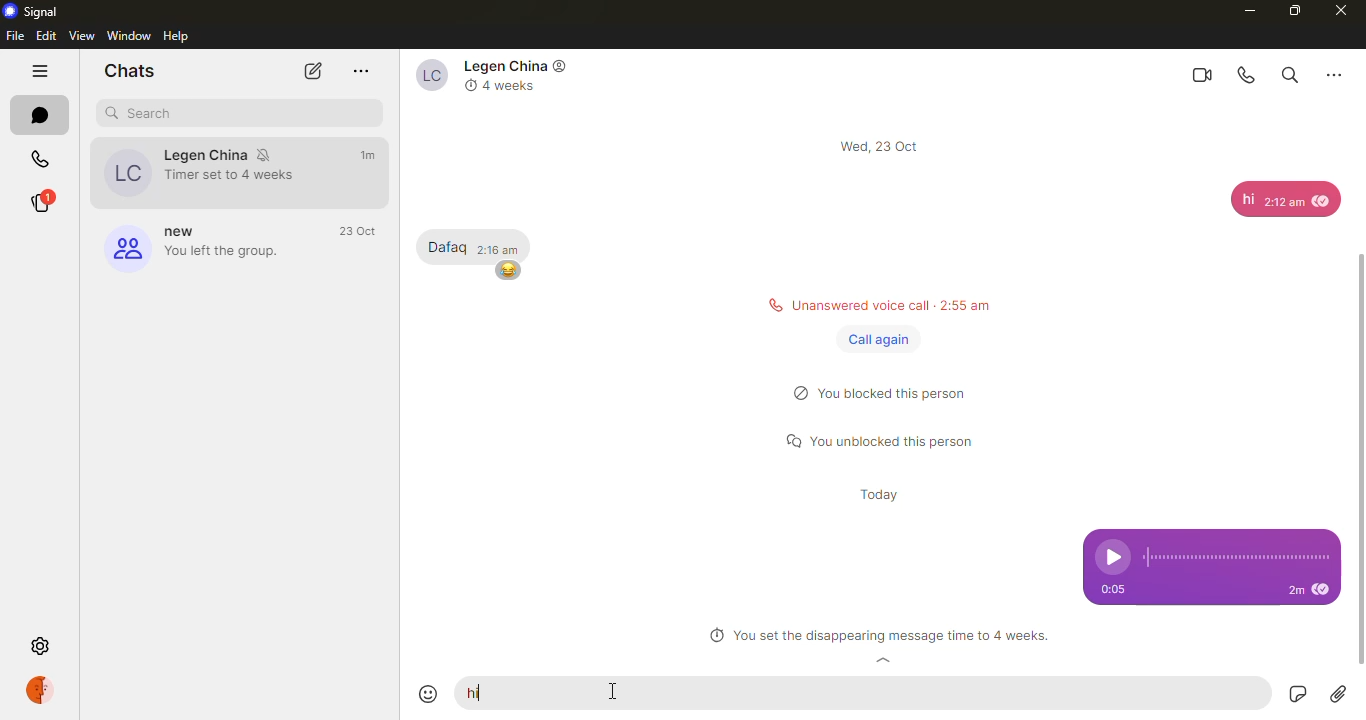  I want to click on window, so click(130, 35).